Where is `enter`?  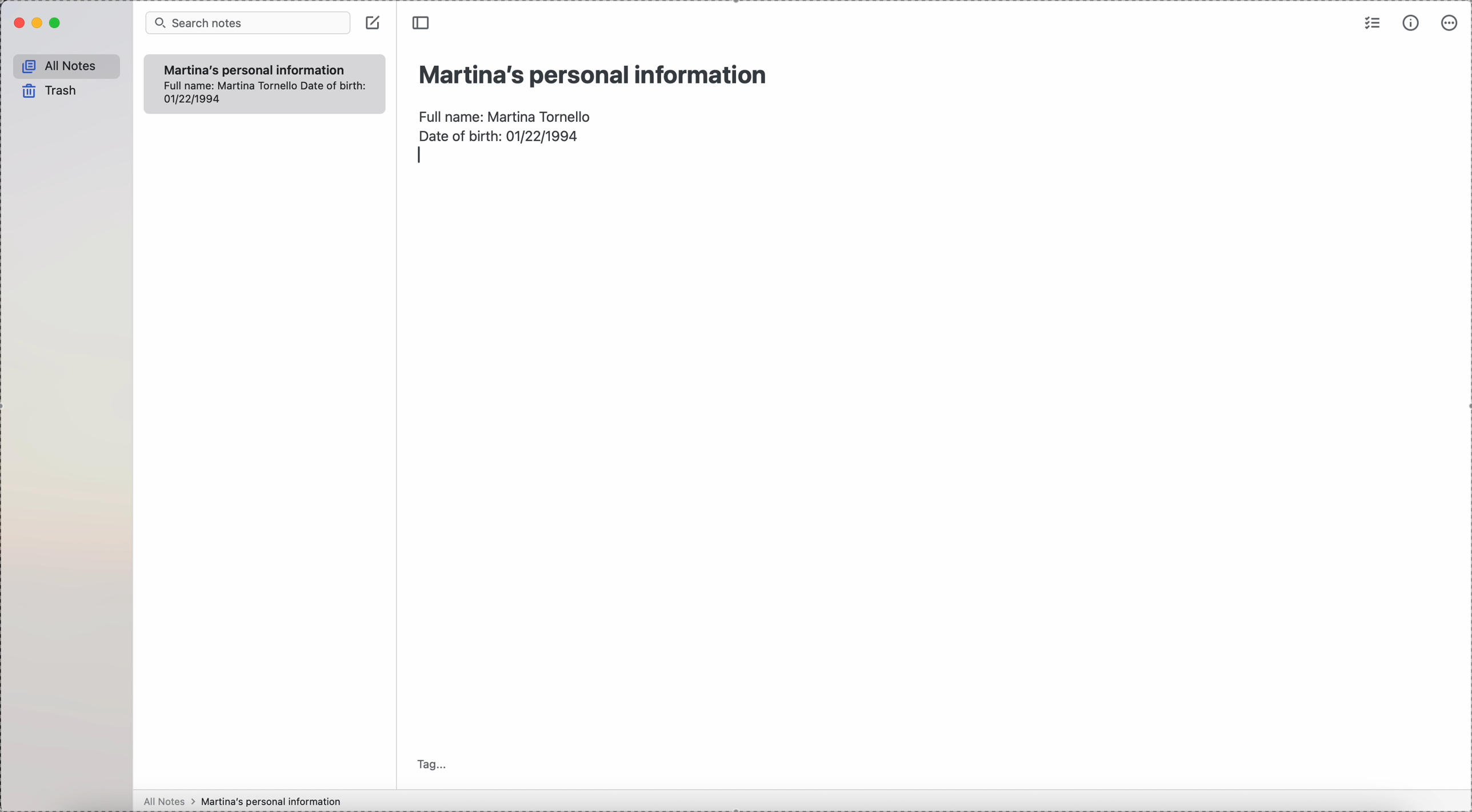
enter is located at coordinates (422, 154).